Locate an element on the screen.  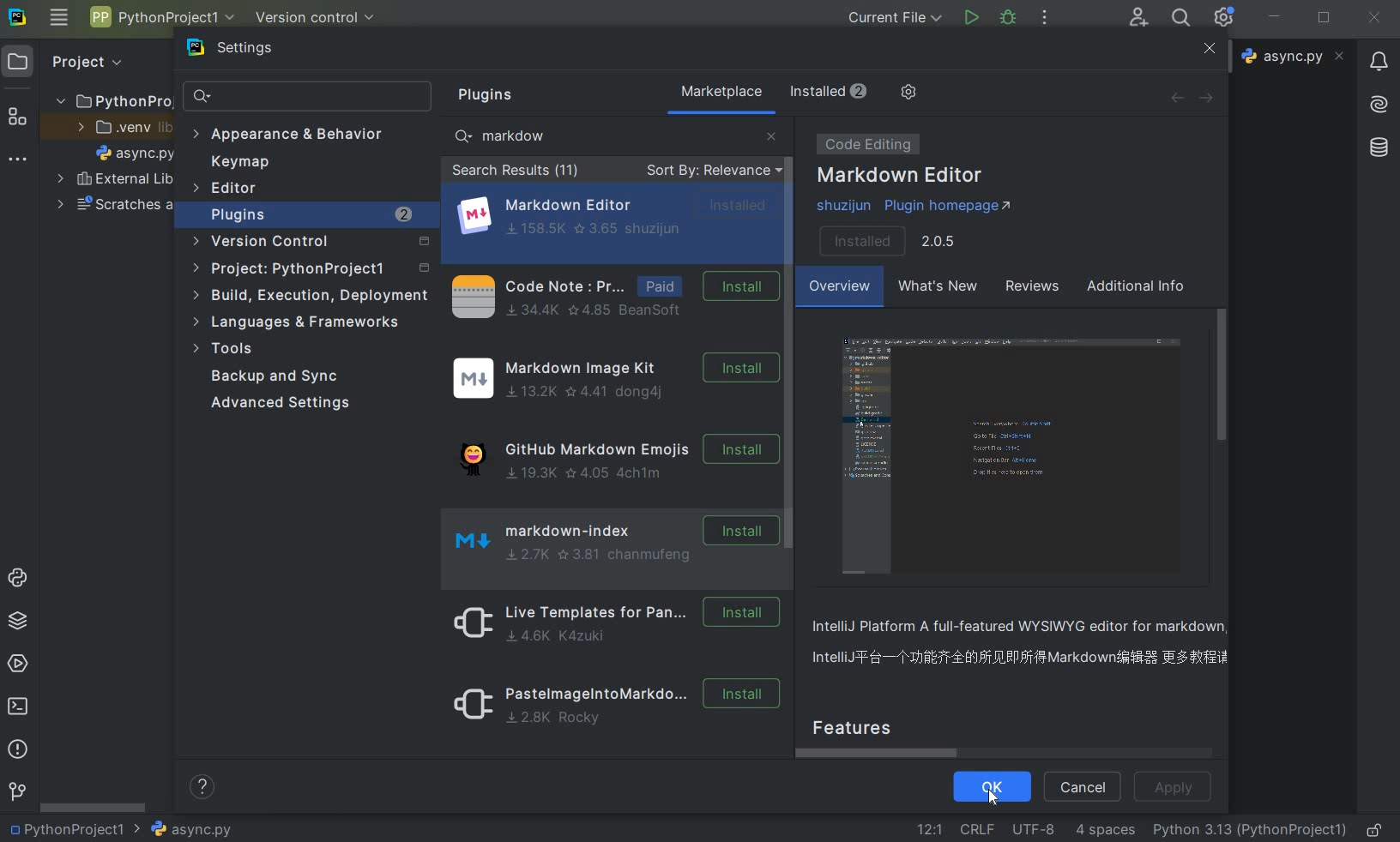
external libraries is located at coordinates (116, 178).